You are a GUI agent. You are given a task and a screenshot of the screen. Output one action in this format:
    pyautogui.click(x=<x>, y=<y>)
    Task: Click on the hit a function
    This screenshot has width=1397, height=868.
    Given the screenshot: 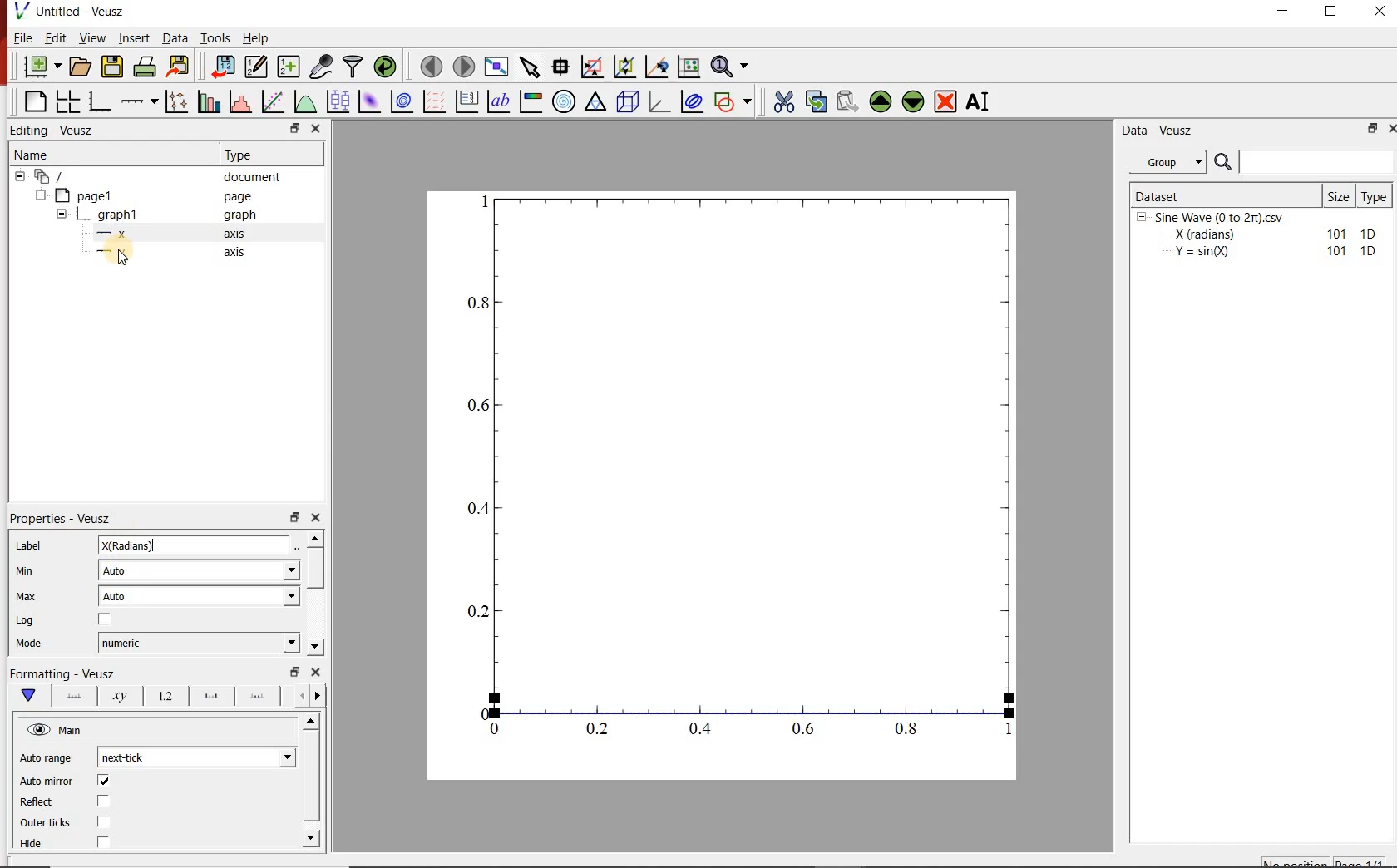 What is the action you would take?
    pyautogui.click(x=274, y=101)
    